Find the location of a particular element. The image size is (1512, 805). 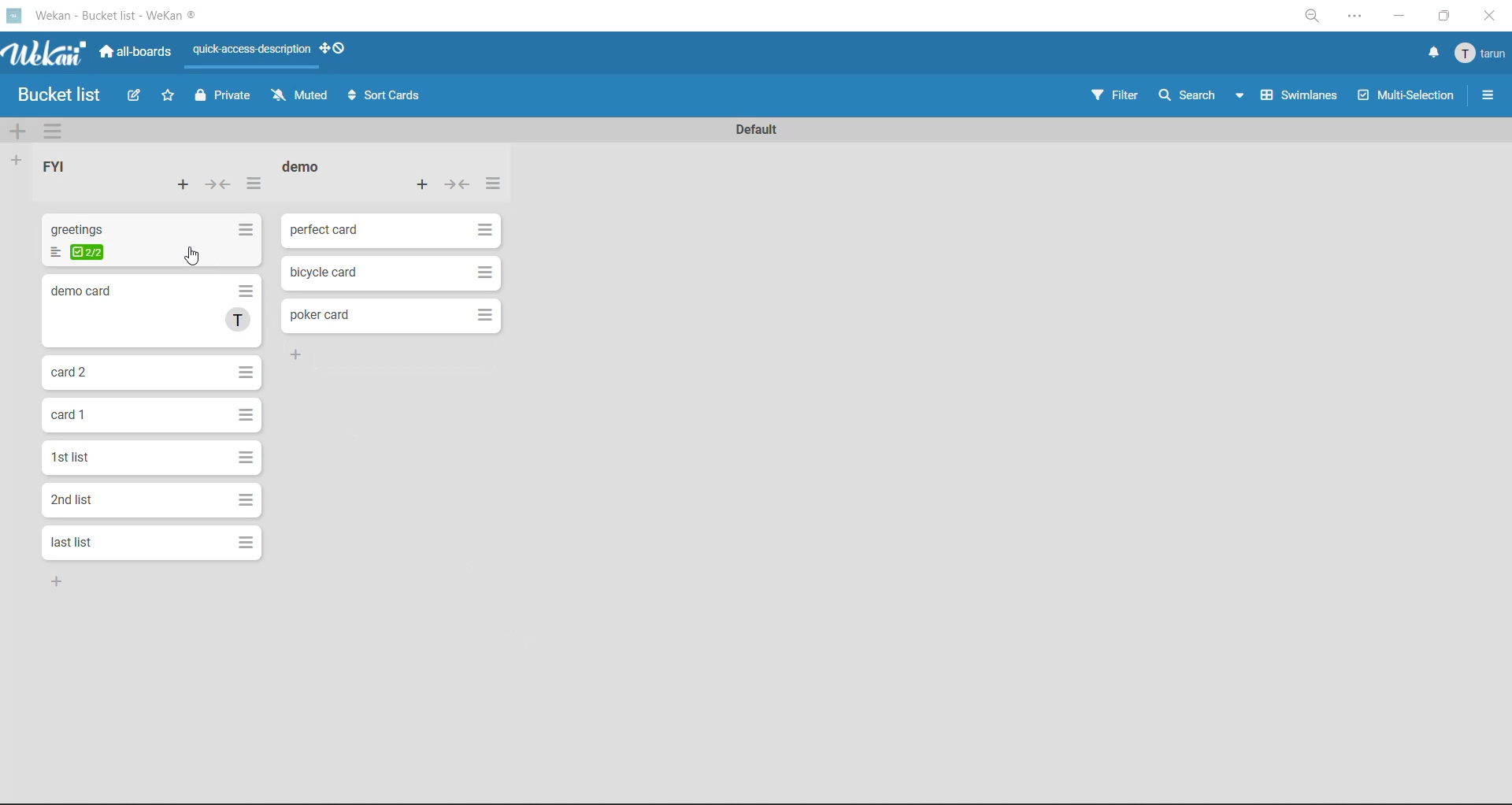

cards is located at coordinates (156, 310).